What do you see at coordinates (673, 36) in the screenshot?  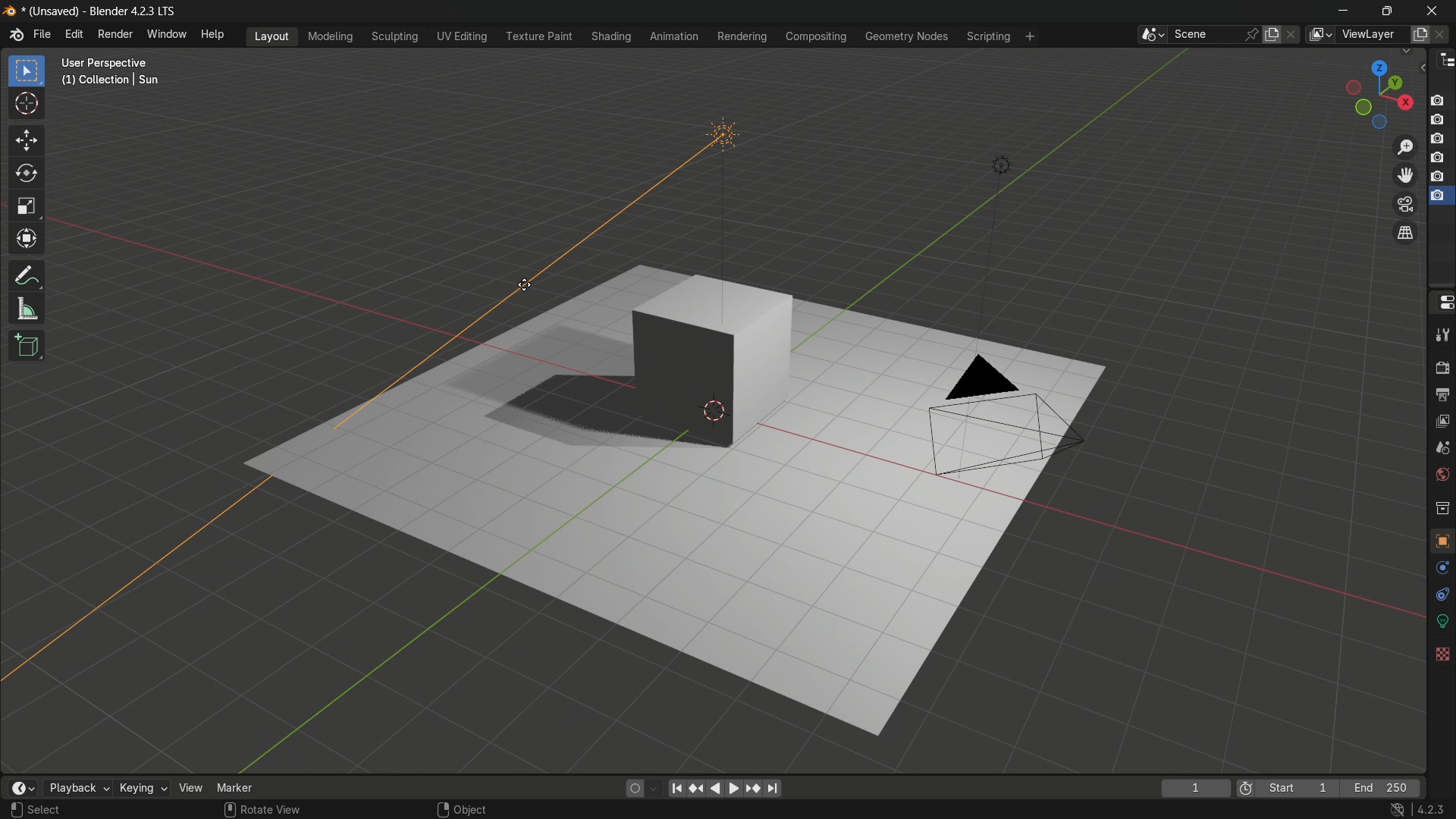 I see `animation` at bounding box center [673, 36].